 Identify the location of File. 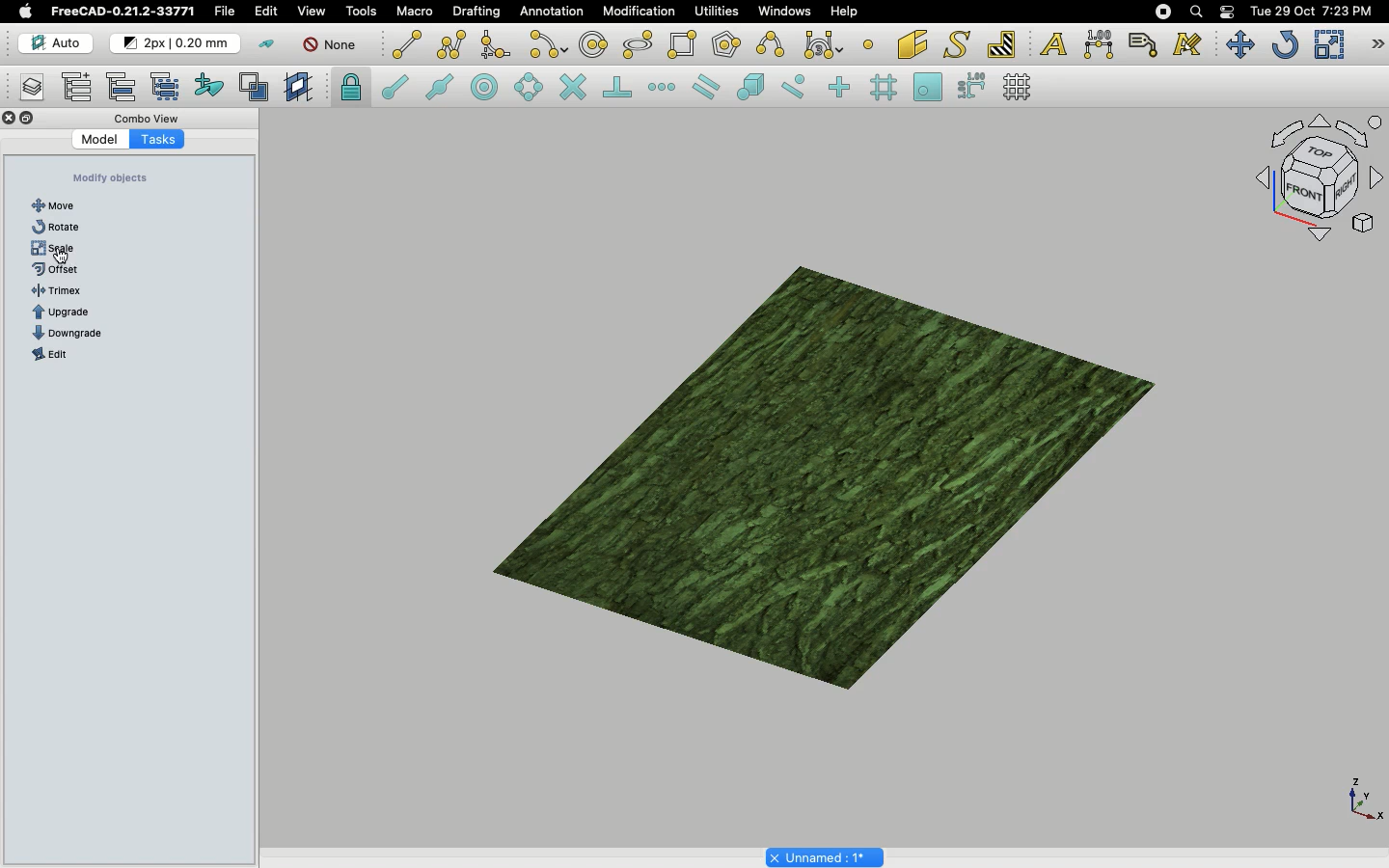
(227, 12).